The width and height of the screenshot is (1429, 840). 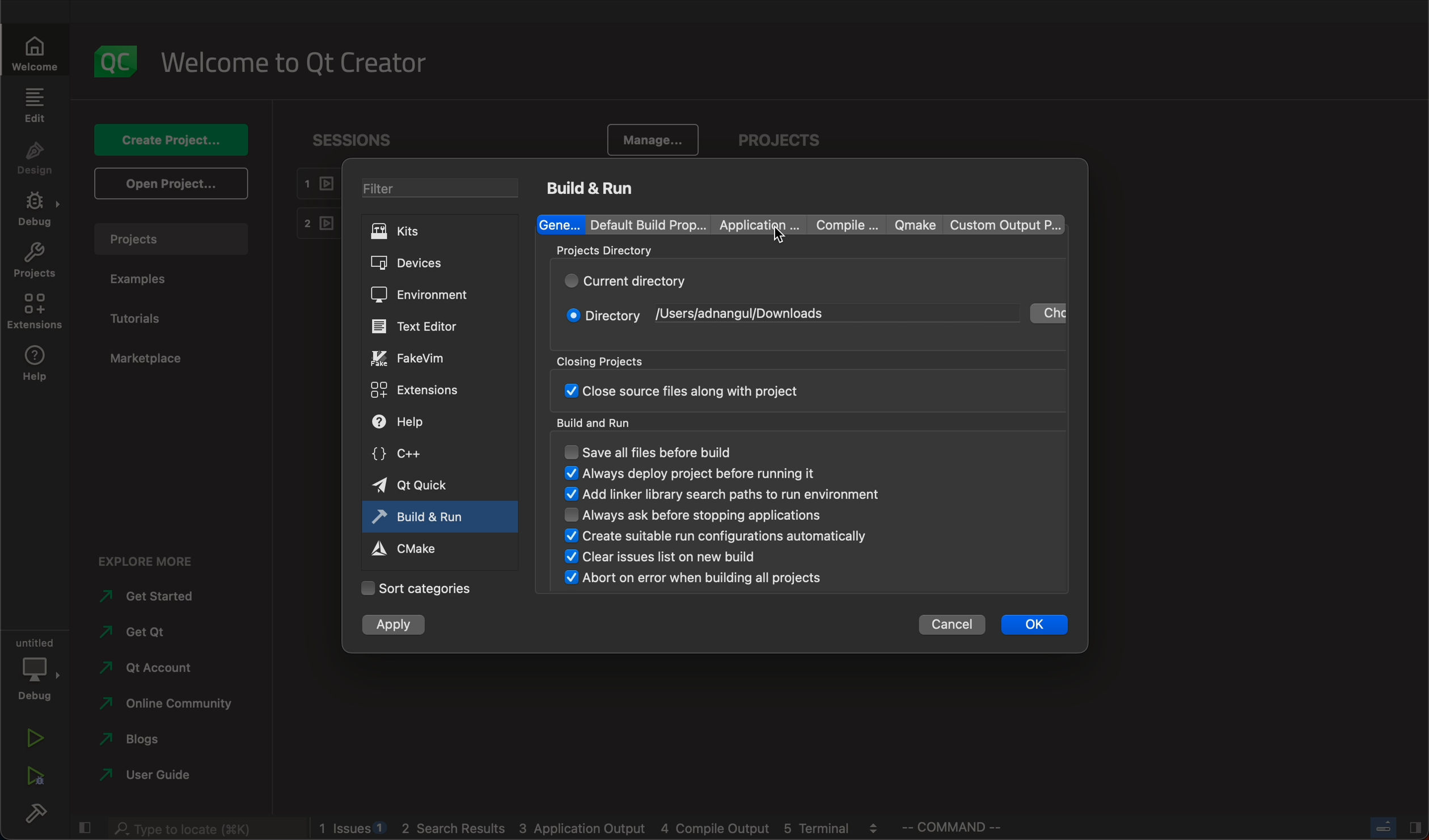 I want to click on kits, so click(x=439, y=231).